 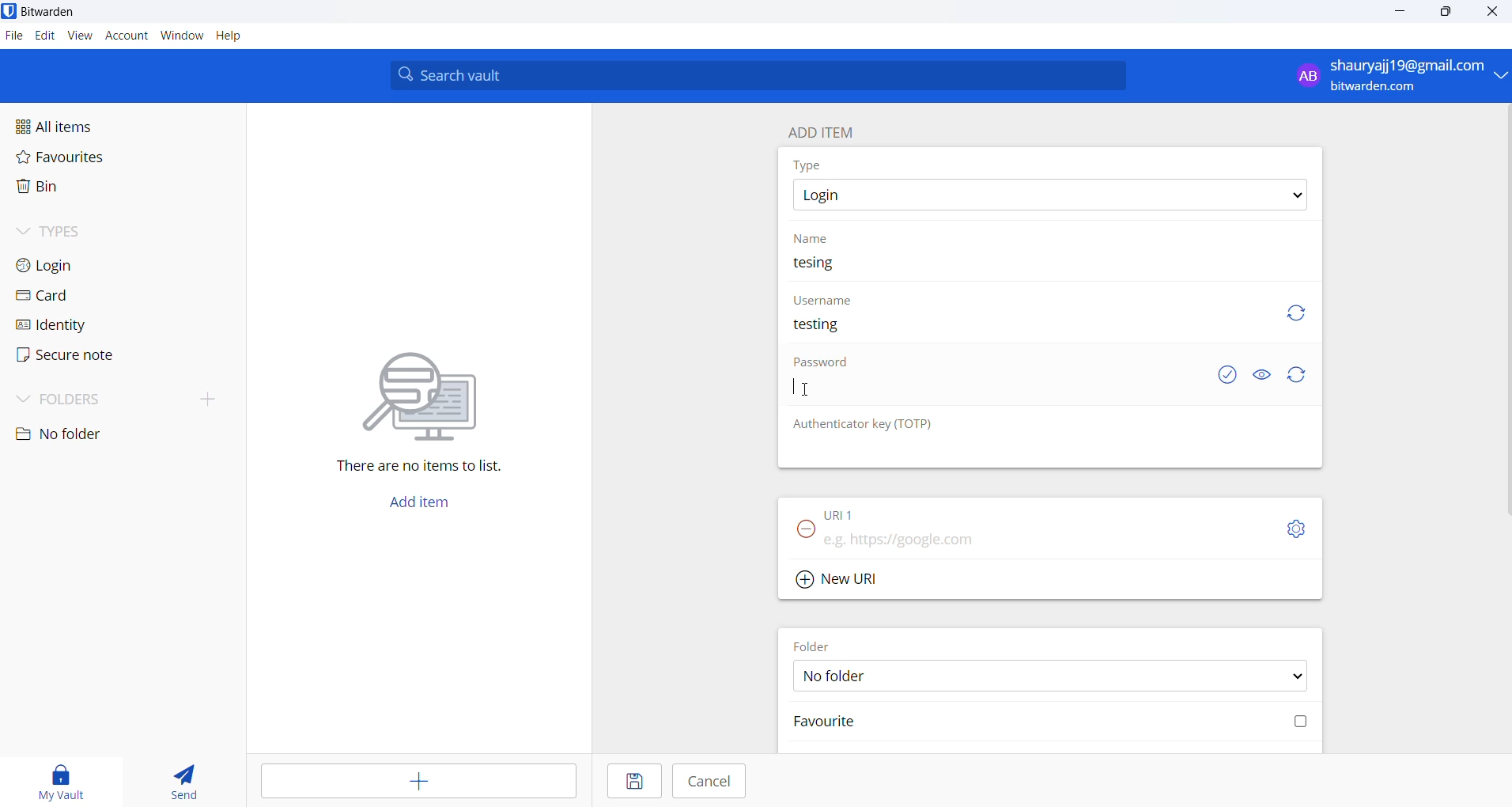 I want to click on otp input box, so click(x=1045, y=453).